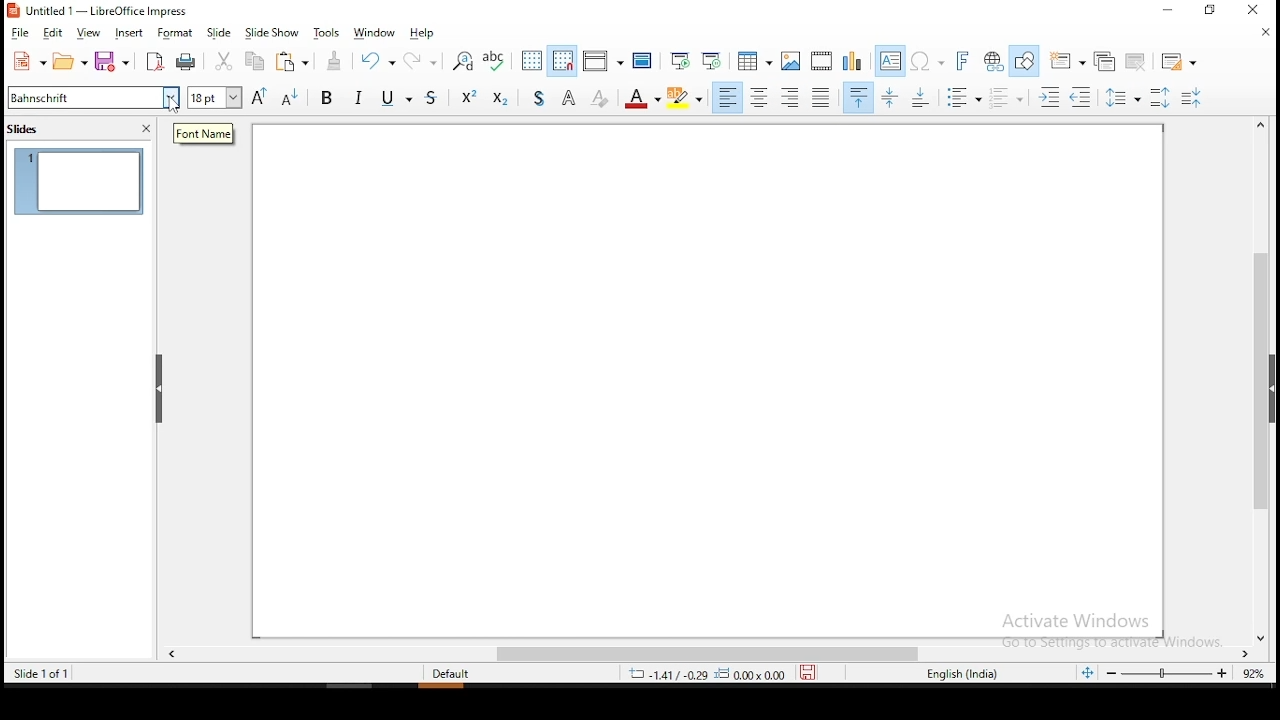 The width and height of the screenshot is (1280, 720). I want to click on 19.59/-0.26, so click(661, 674).